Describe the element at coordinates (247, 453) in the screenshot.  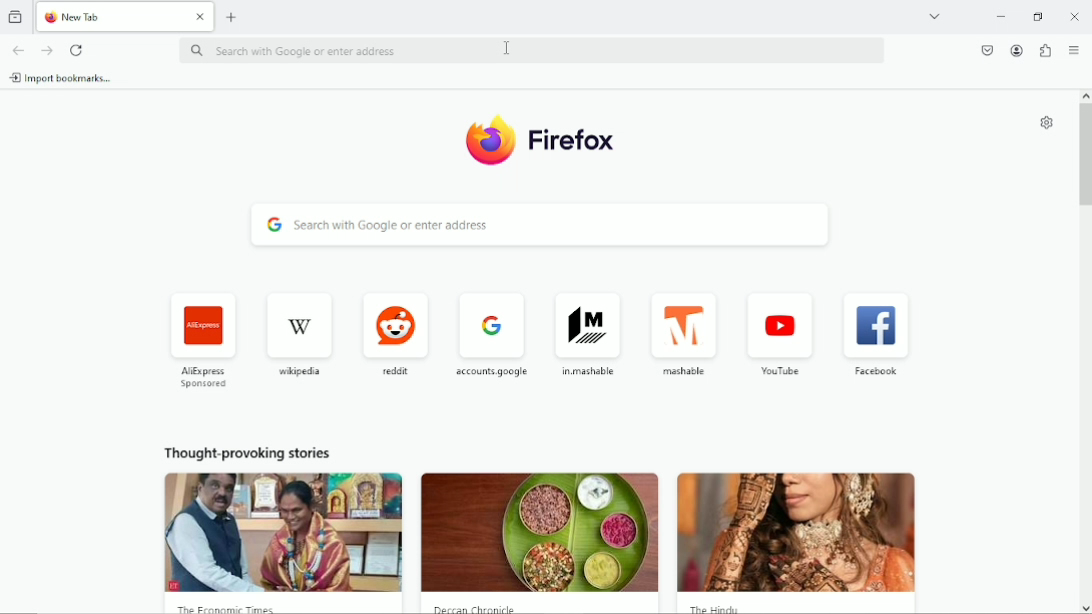
I see `Thought provoking stories` at that location.